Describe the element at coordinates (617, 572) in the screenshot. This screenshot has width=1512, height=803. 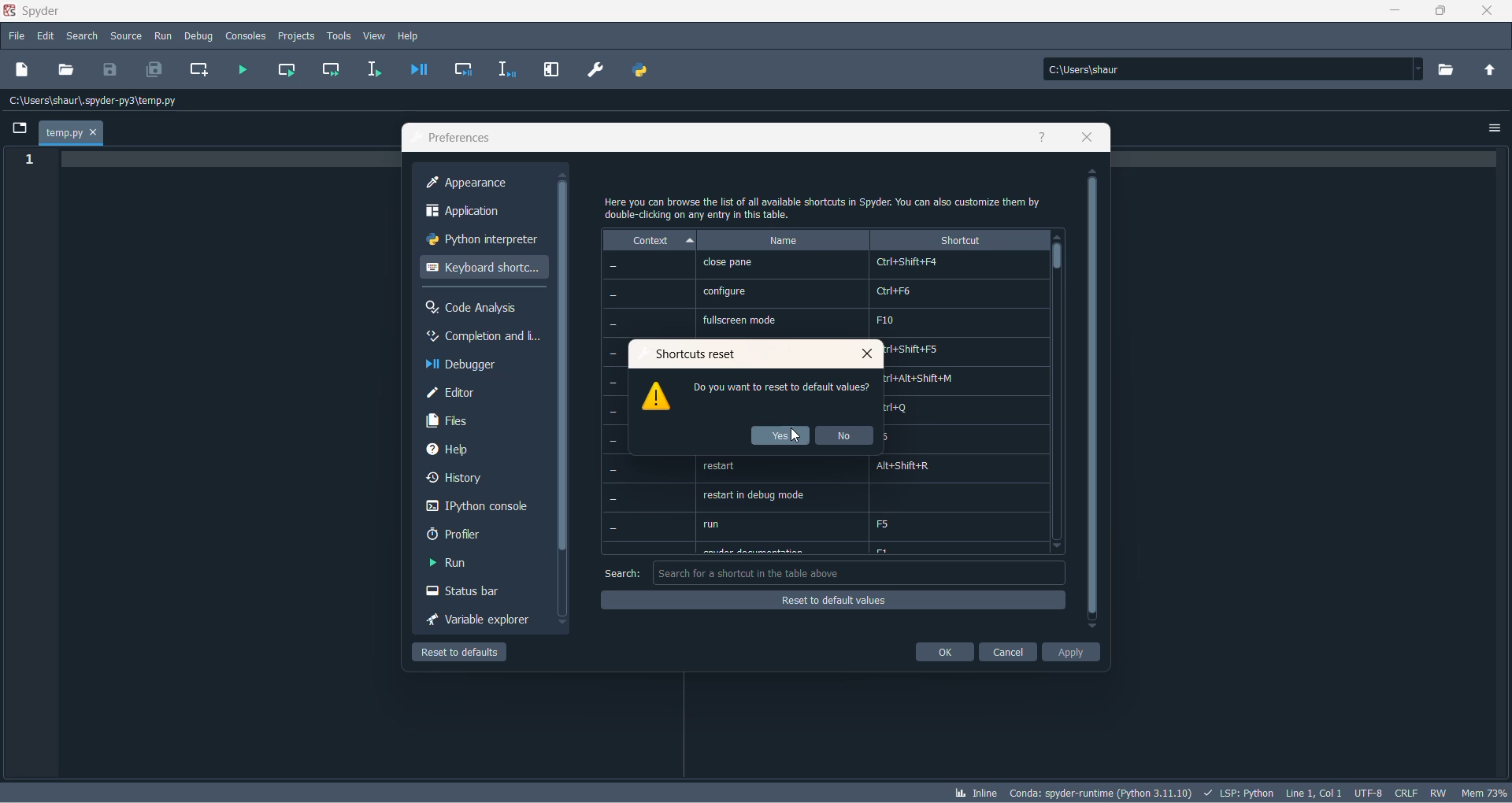
I see `search ` at that location.